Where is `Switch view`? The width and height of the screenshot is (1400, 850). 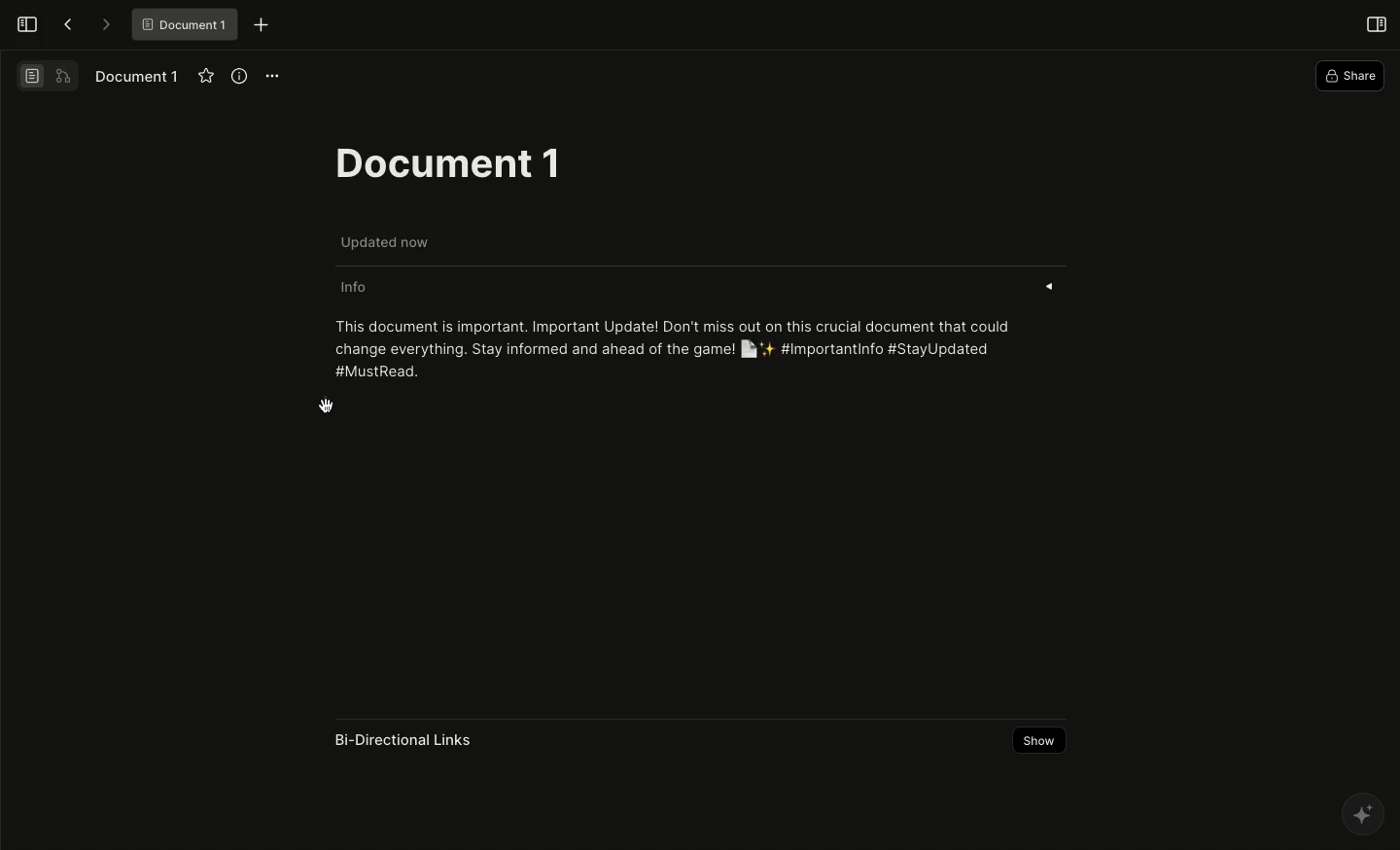
Switch view is located at coordinates (46, 76).